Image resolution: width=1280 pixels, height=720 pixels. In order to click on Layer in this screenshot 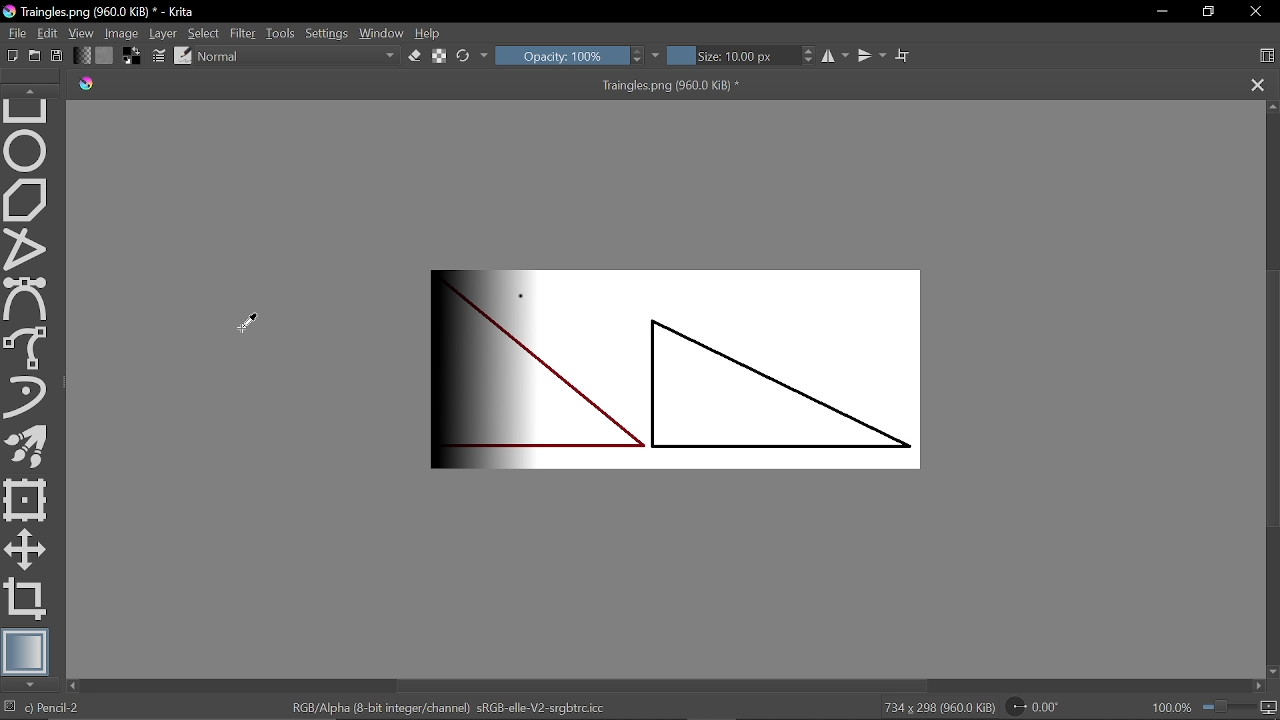, I will do `click(162, 32)`.